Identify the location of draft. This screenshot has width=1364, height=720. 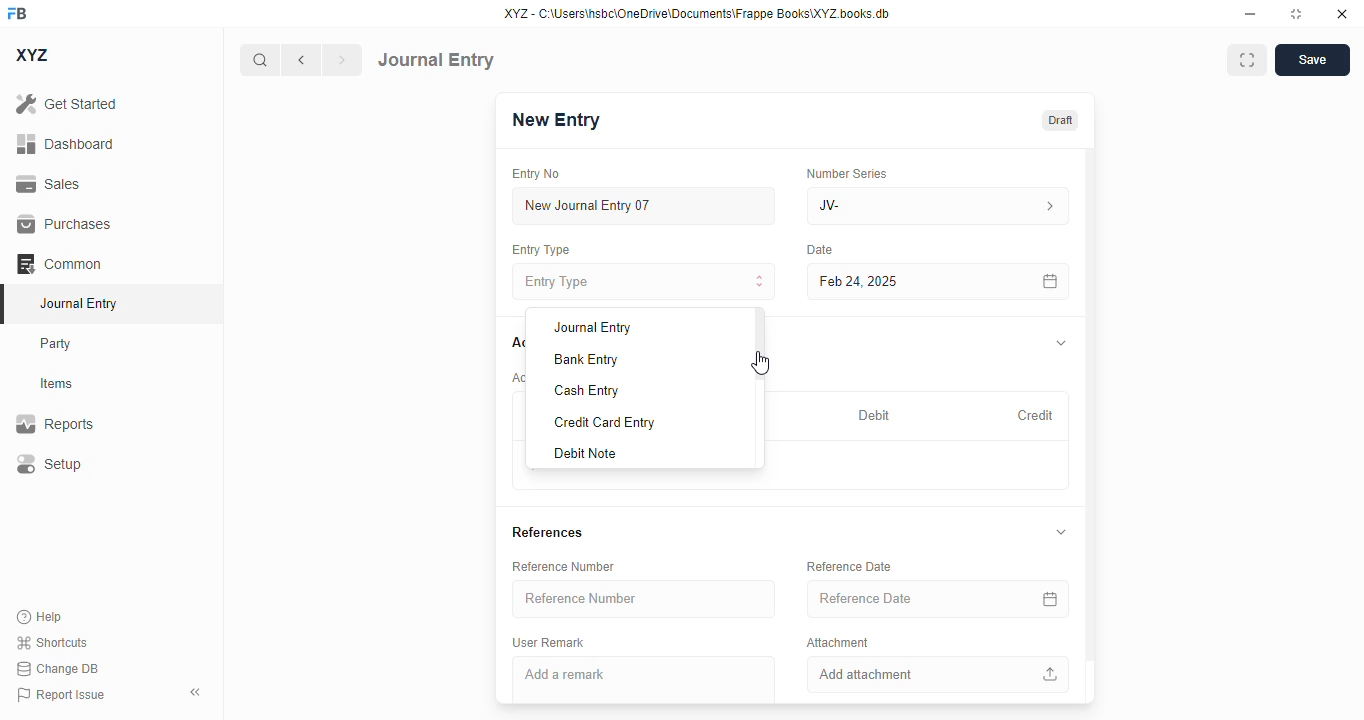
(1061, 119).